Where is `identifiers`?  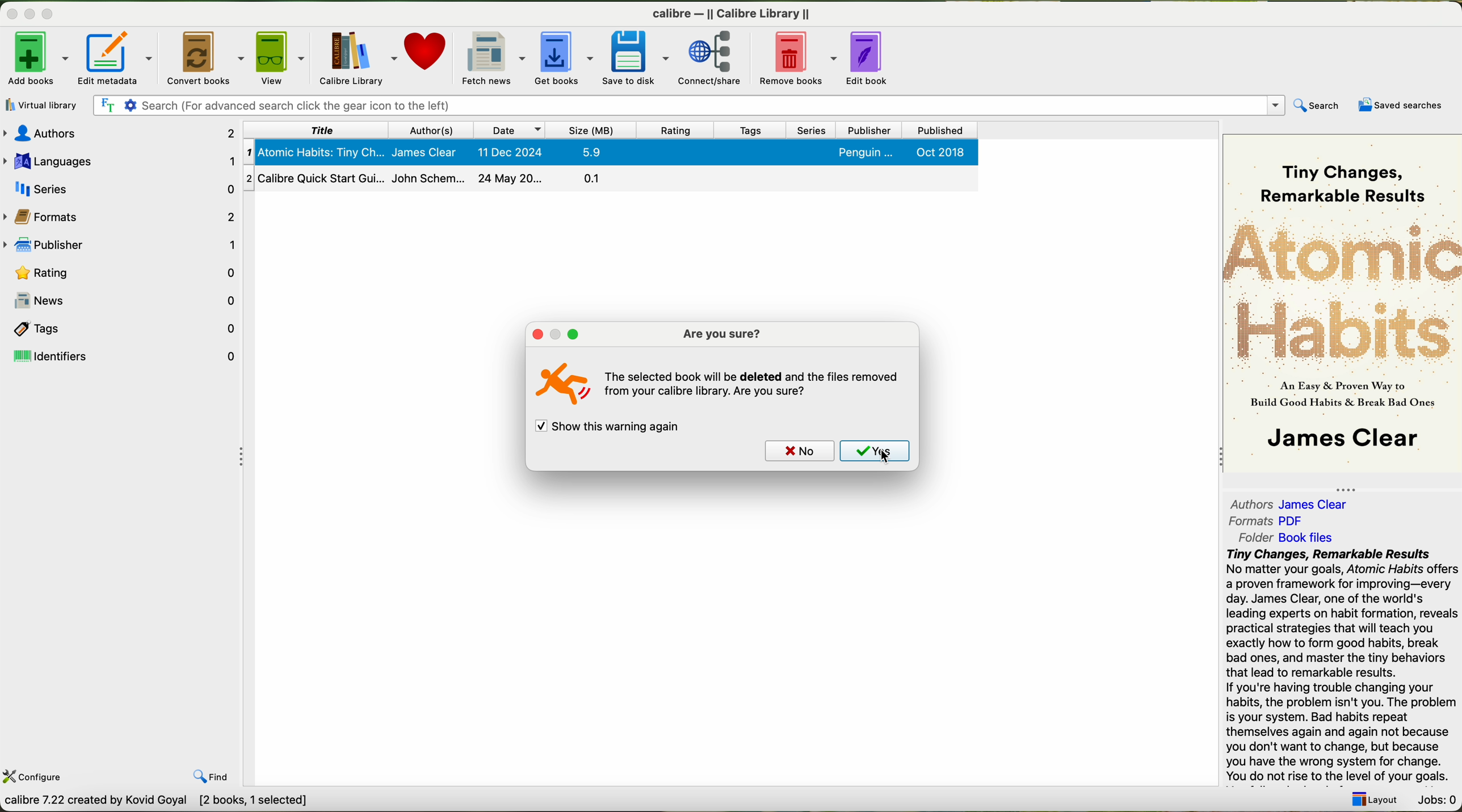 identifiers is located at coordinates (121, 357).